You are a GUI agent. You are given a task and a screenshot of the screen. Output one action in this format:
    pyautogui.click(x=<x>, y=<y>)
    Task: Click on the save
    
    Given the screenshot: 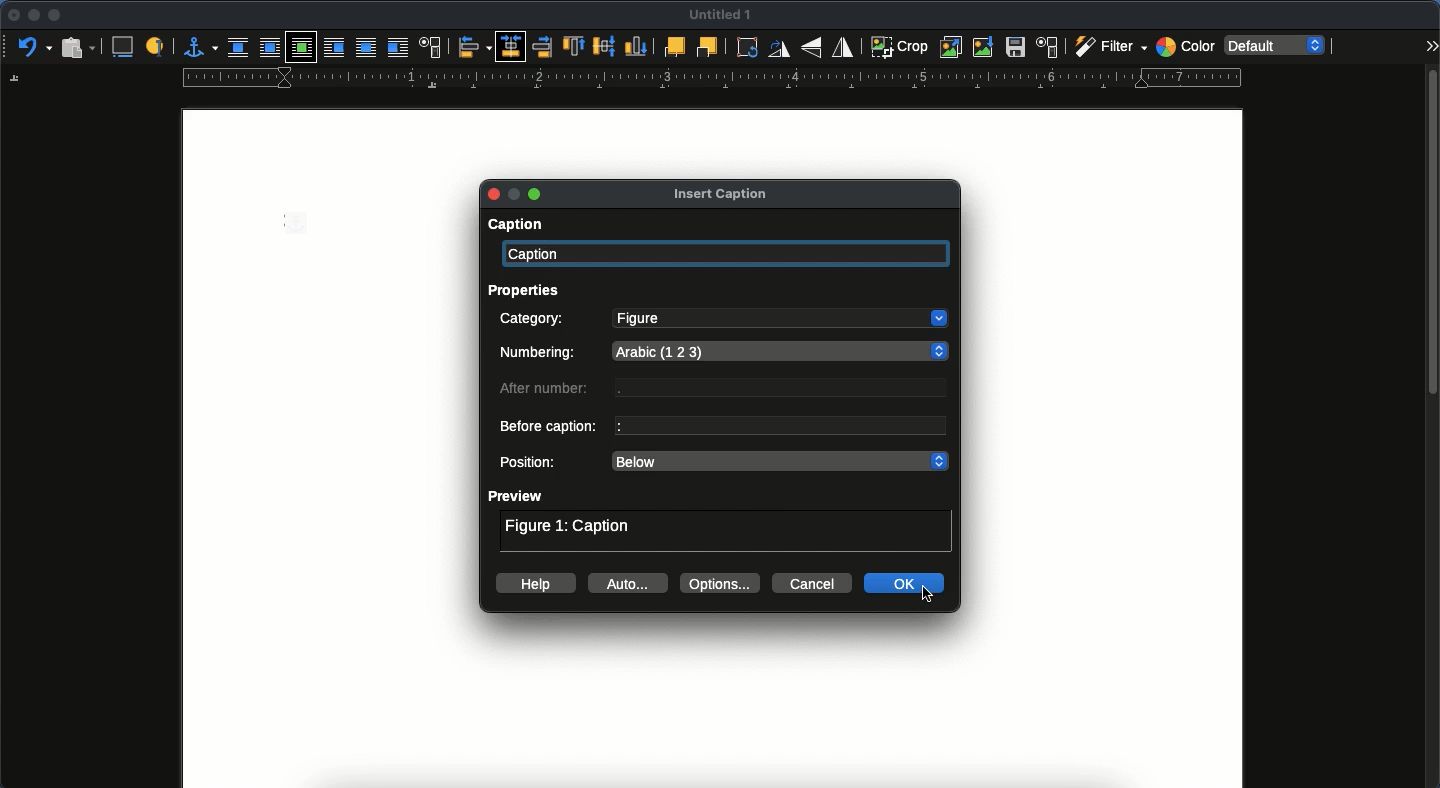 What is the action you would take?
    pyautogui.click(x=1018, y=48)
    